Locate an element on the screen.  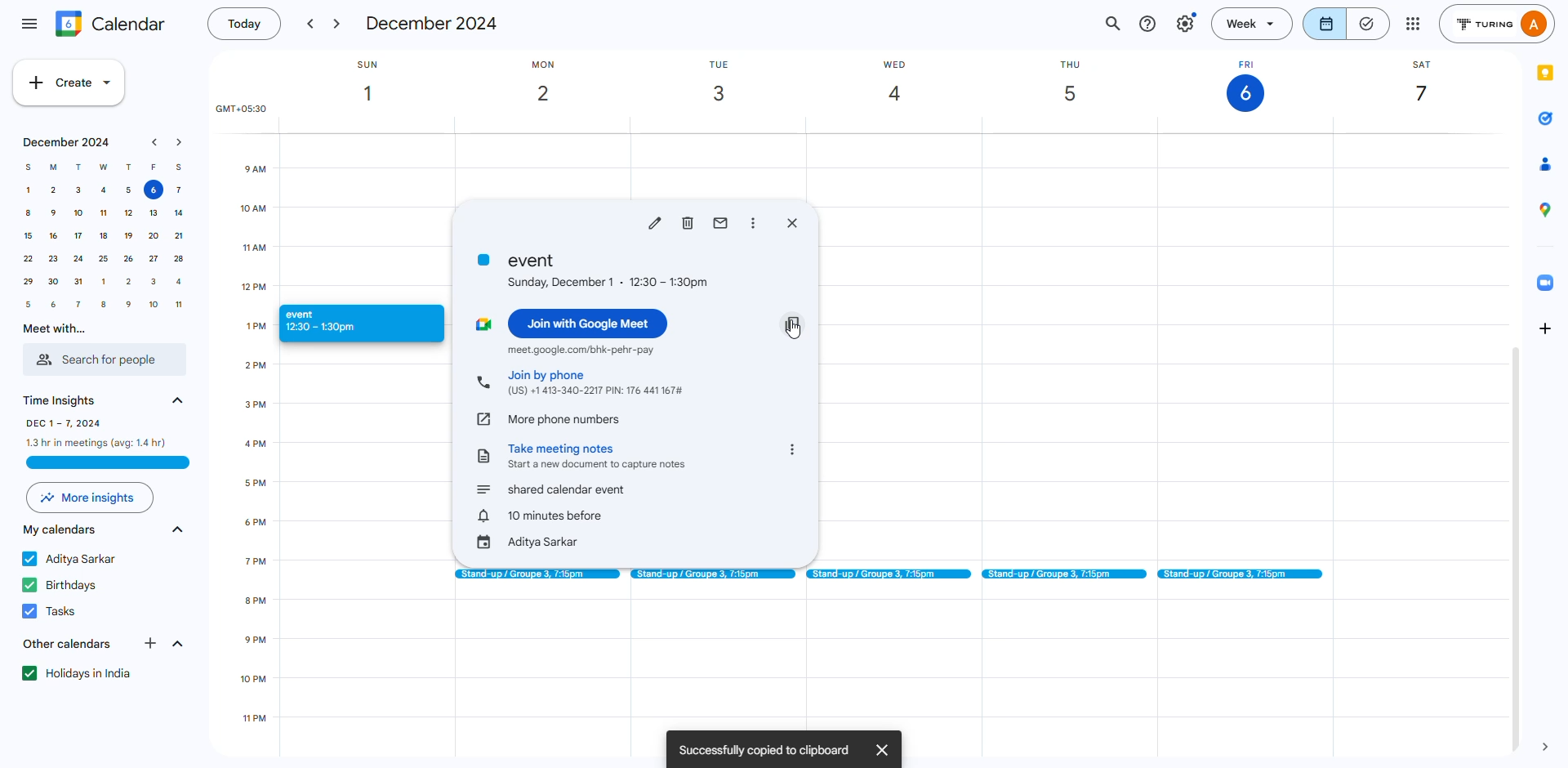
event is located at coordinates (553, 489).